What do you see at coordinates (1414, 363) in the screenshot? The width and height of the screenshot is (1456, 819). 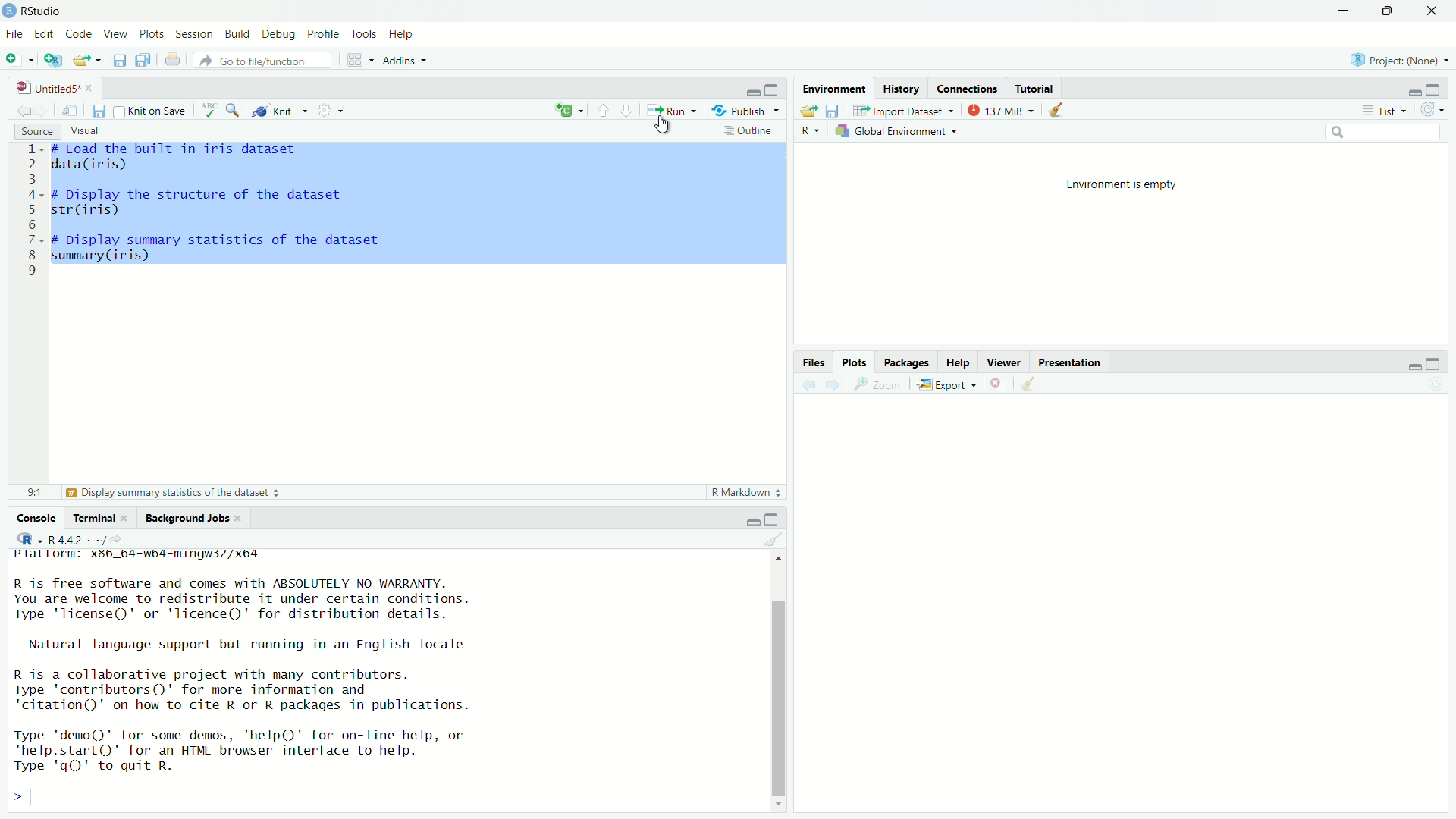 I see `Hide` at bounding box center [1414, 363].